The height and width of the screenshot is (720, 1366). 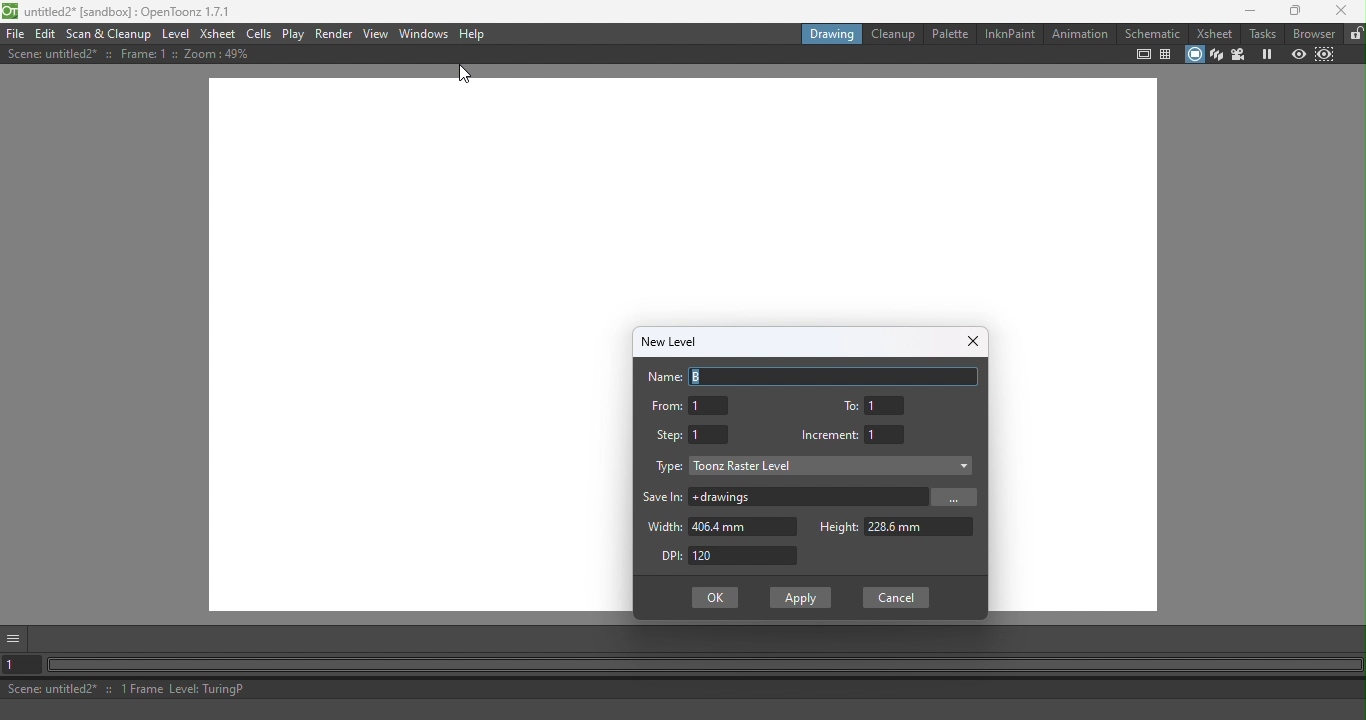 I want to click on From, so click(x=668, y=406).